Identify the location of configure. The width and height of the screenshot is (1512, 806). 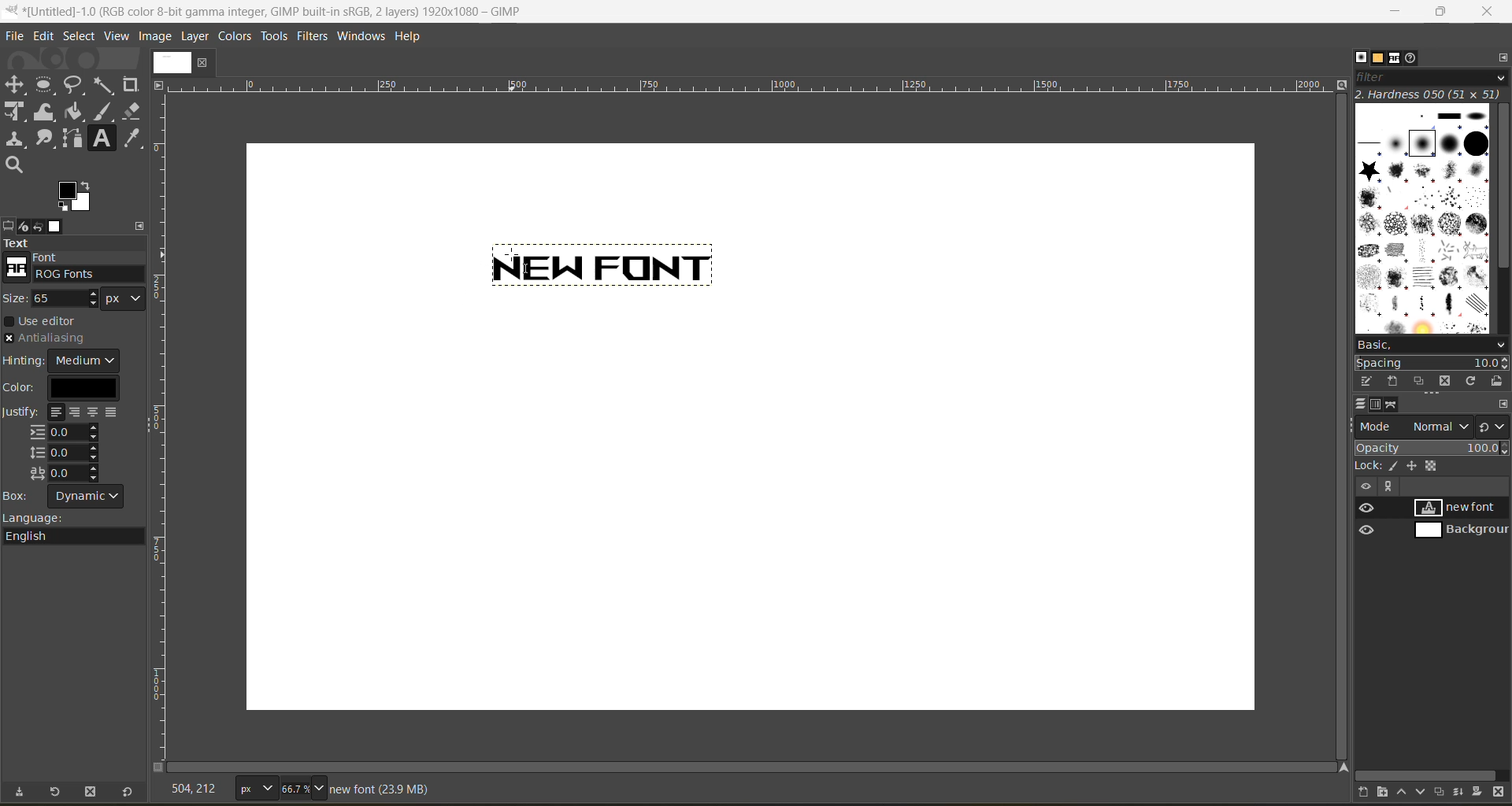
(1503, 405).